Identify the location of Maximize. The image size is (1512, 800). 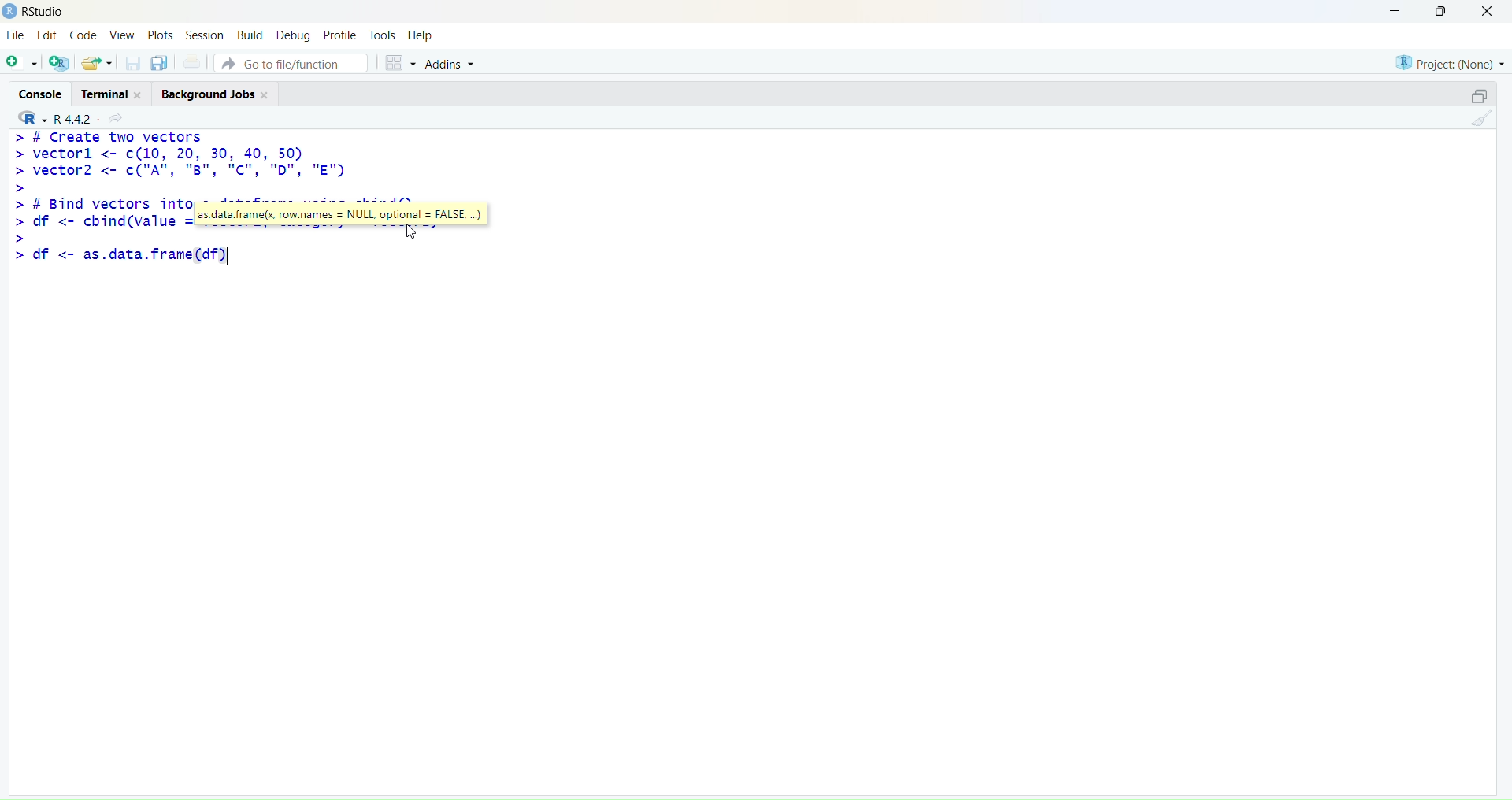
(1442, 11).